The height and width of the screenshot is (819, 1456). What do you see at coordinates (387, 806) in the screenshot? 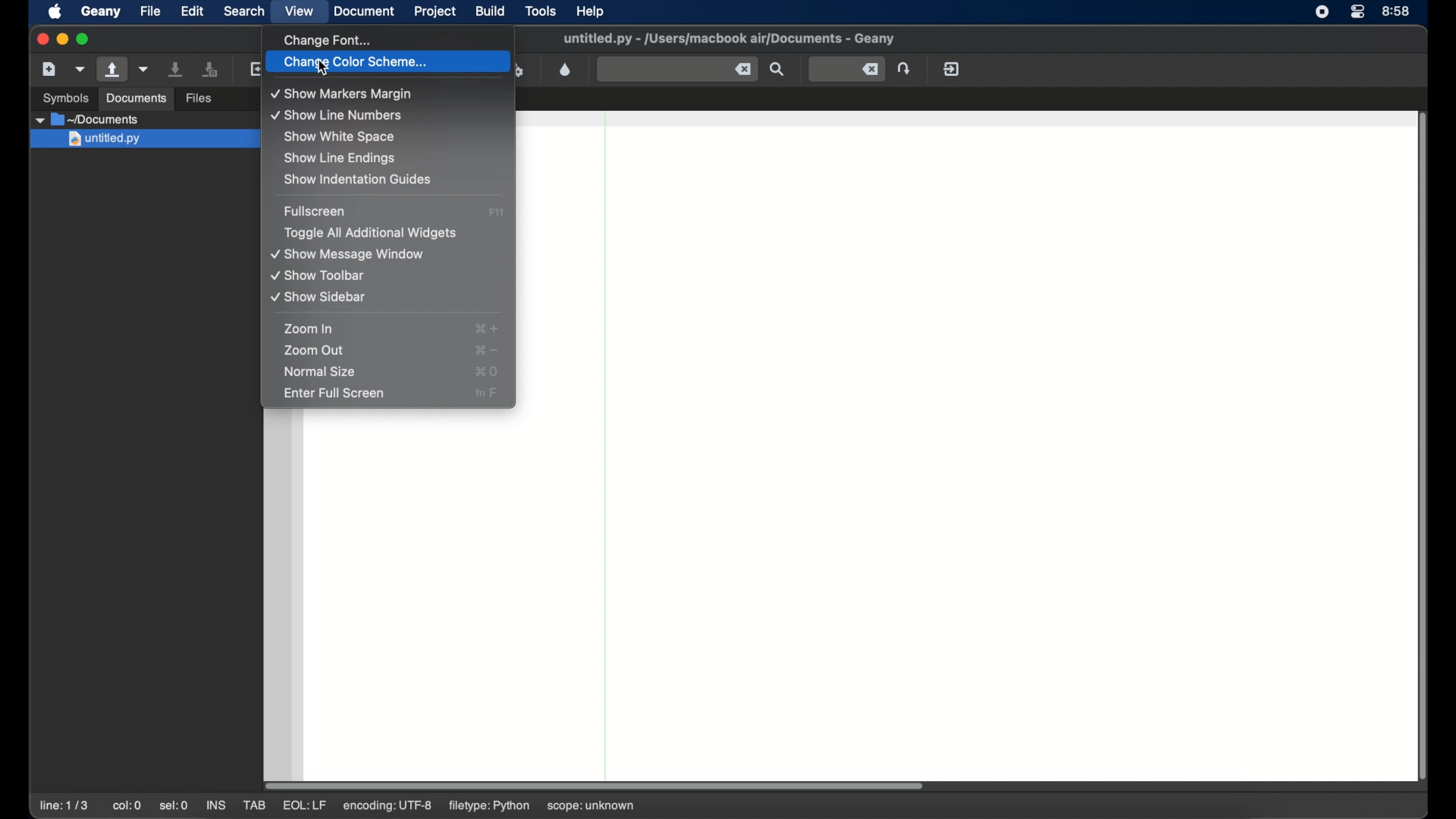
I see `encoding: utf-8` at bounding box center [387, 806].